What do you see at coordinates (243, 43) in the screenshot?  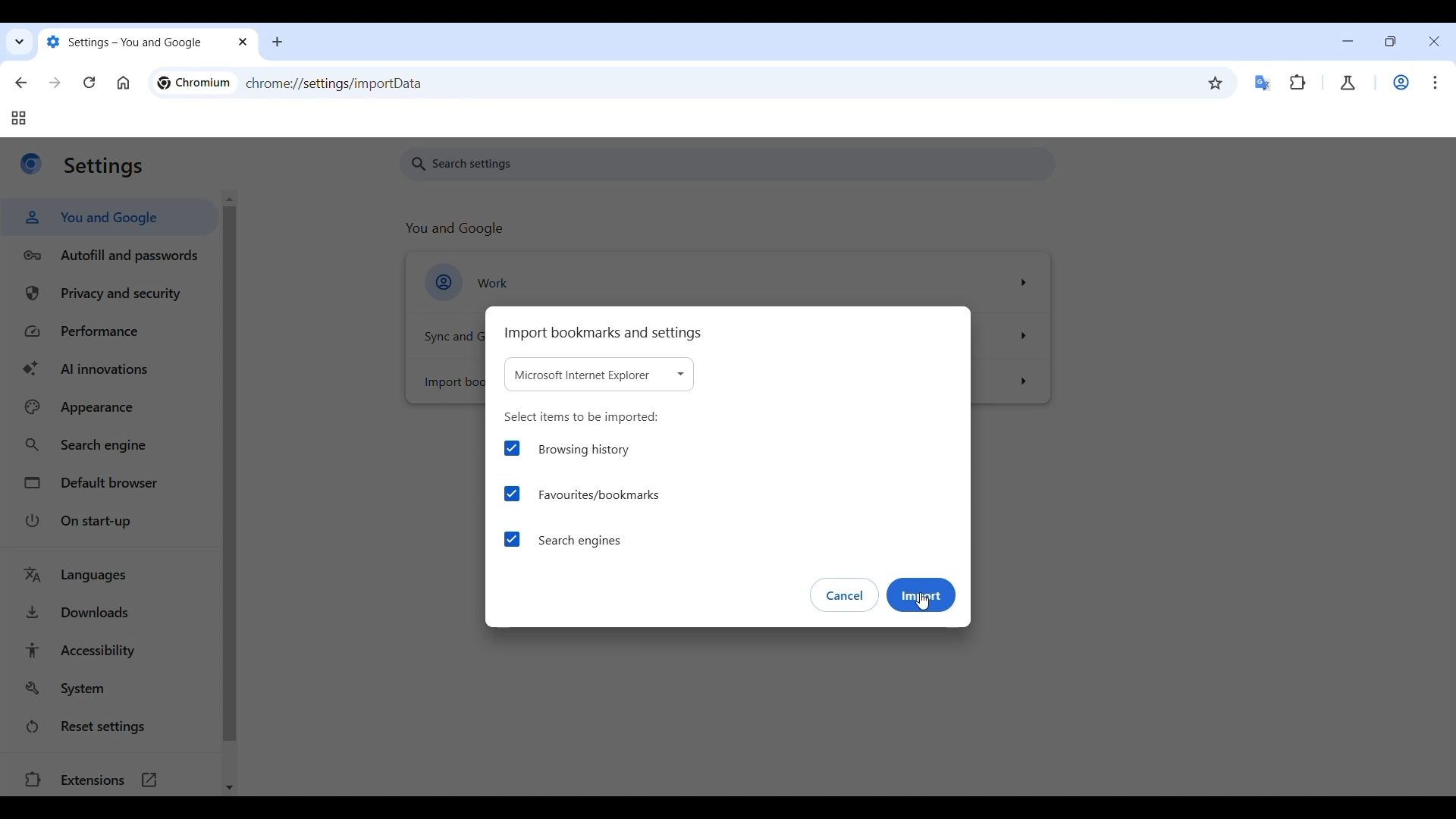 I see `close tab` at bounding box center [243, 43].